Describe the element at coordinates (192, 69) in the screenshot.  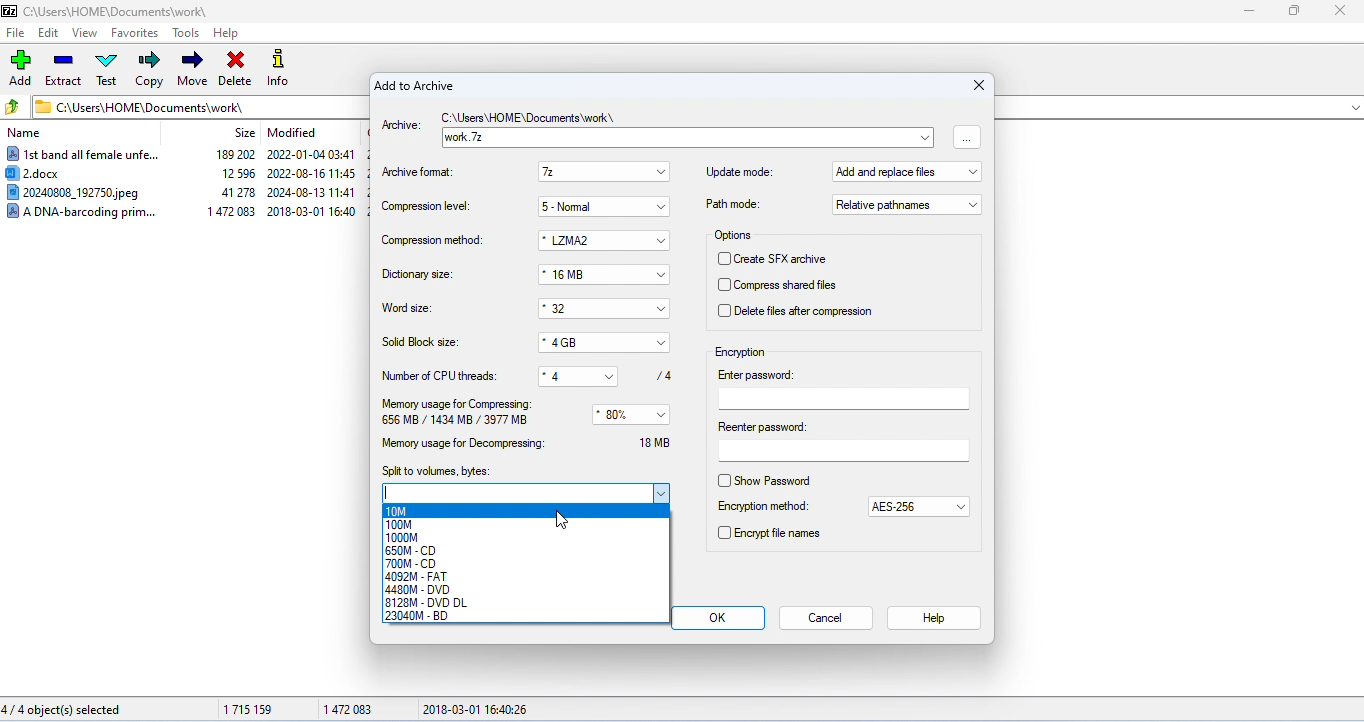
I see `move` at that location.